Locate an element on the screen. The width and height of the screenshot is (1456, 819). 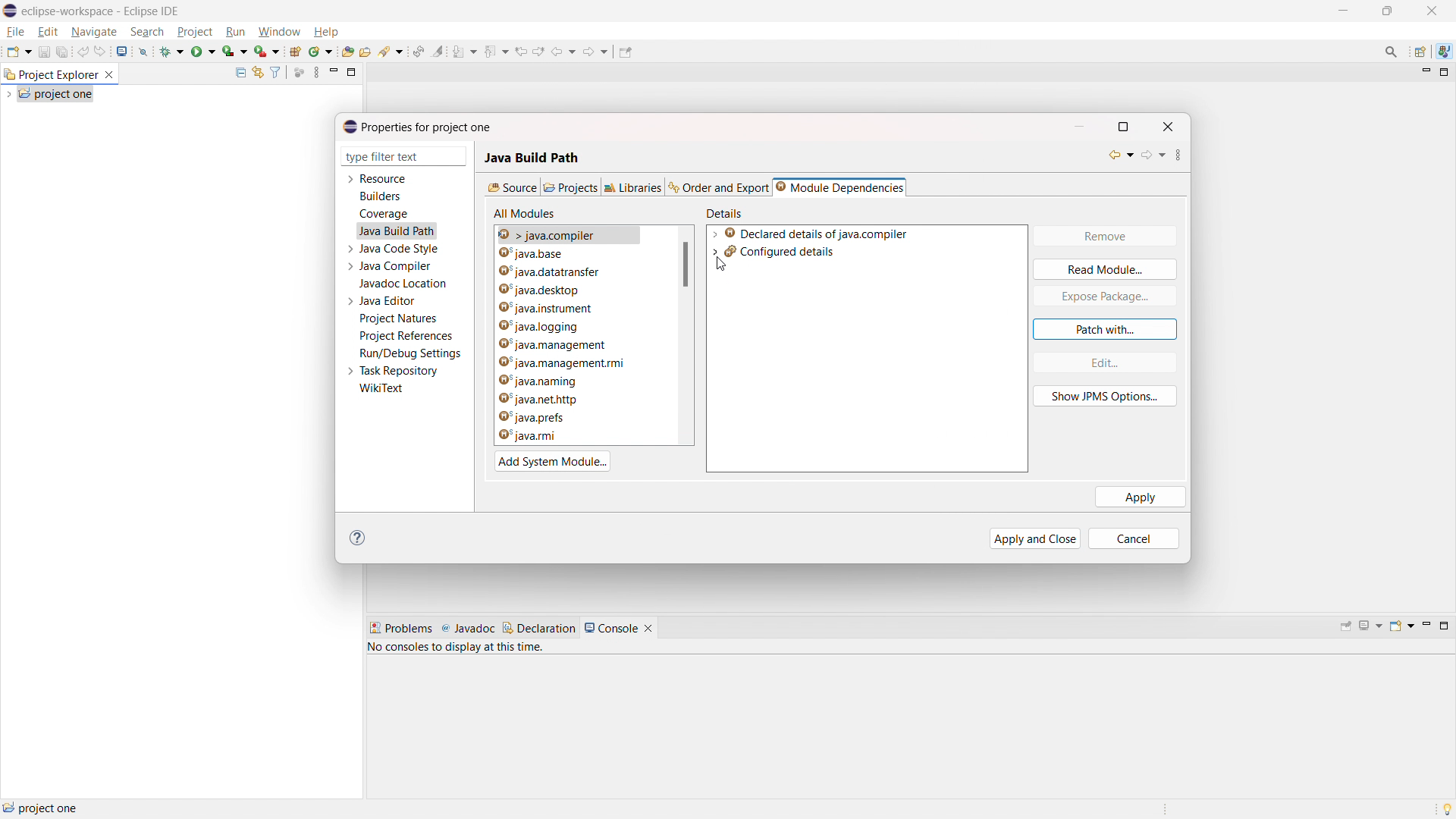
focus on active task  is located at coordinates (300, 73).